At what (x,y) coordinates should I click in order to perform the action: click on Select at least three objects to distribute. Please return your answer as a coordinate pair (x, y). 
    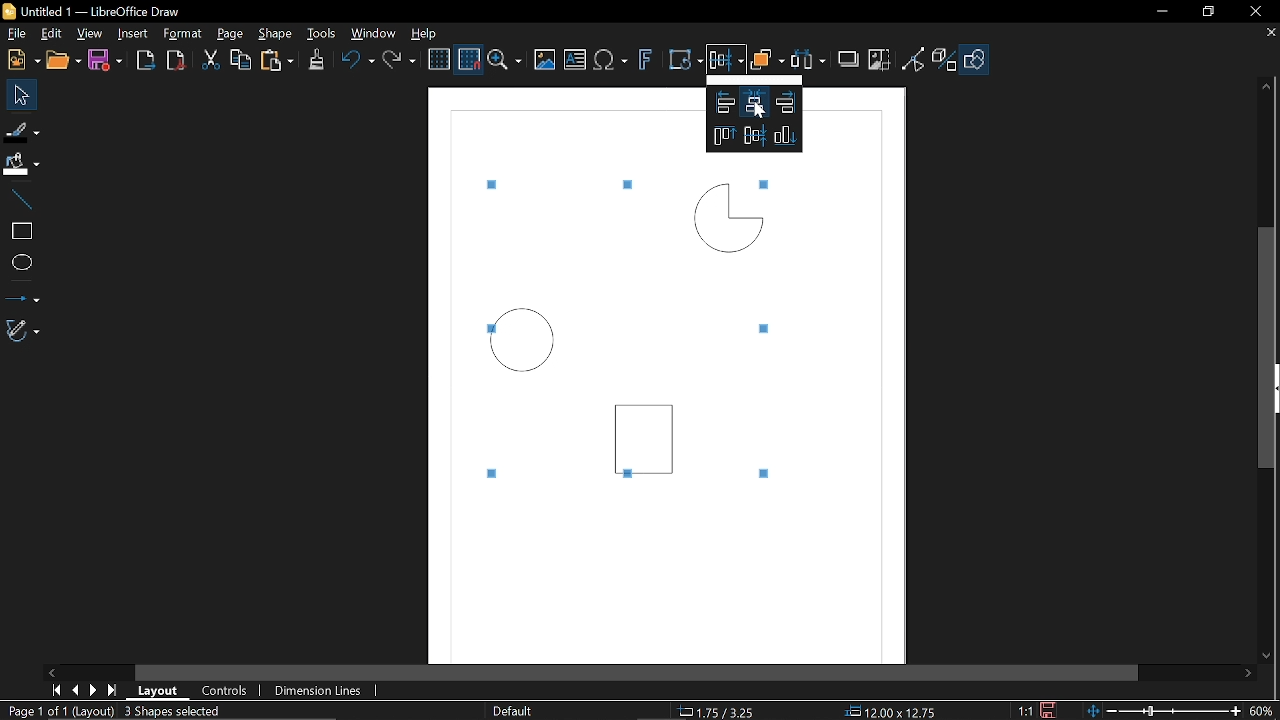
    Looking at the image, I should click on (810, 60).